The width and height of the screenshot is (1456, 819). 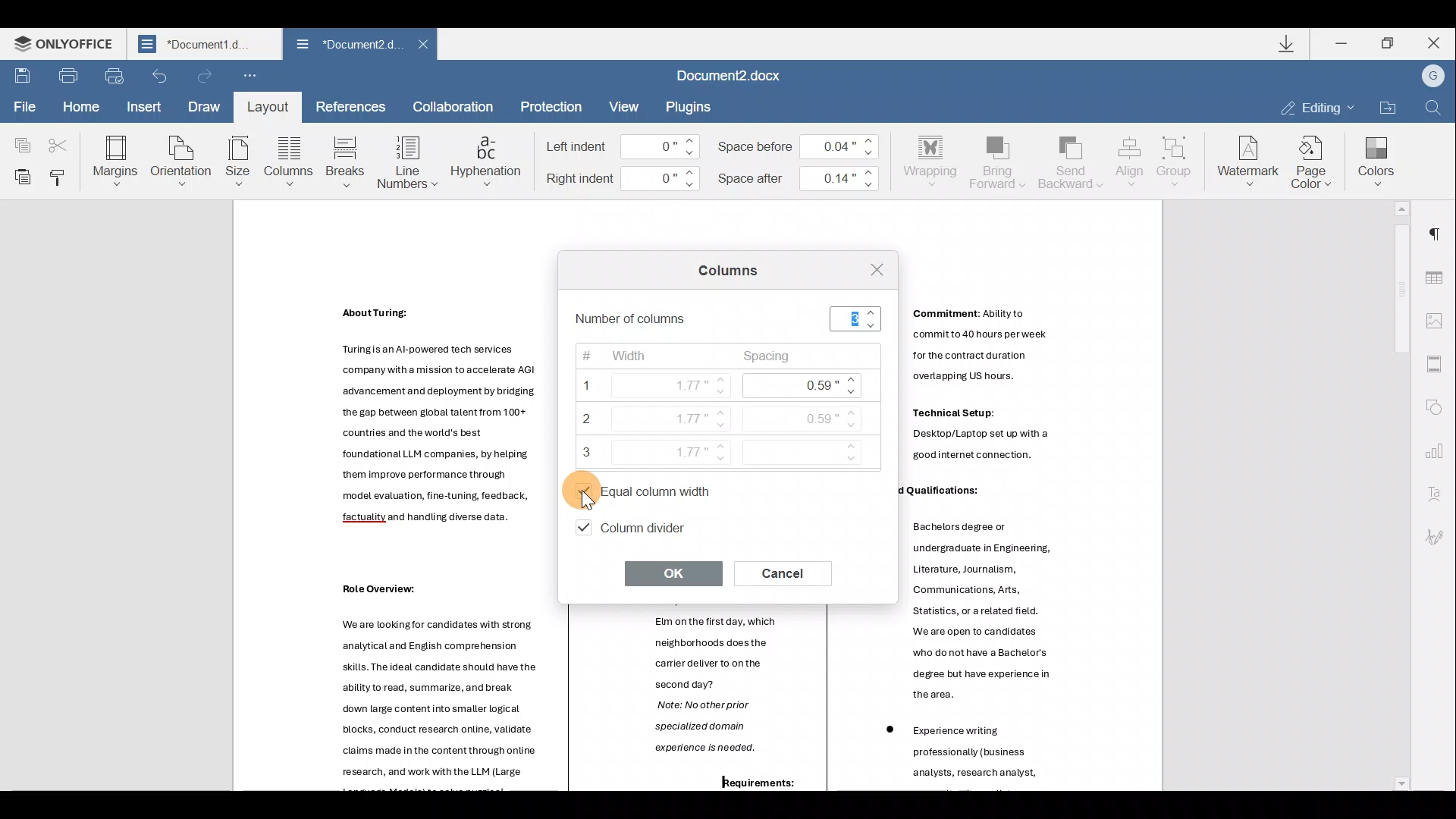 I want to click on Minimize, so click(x=1344, y=42).